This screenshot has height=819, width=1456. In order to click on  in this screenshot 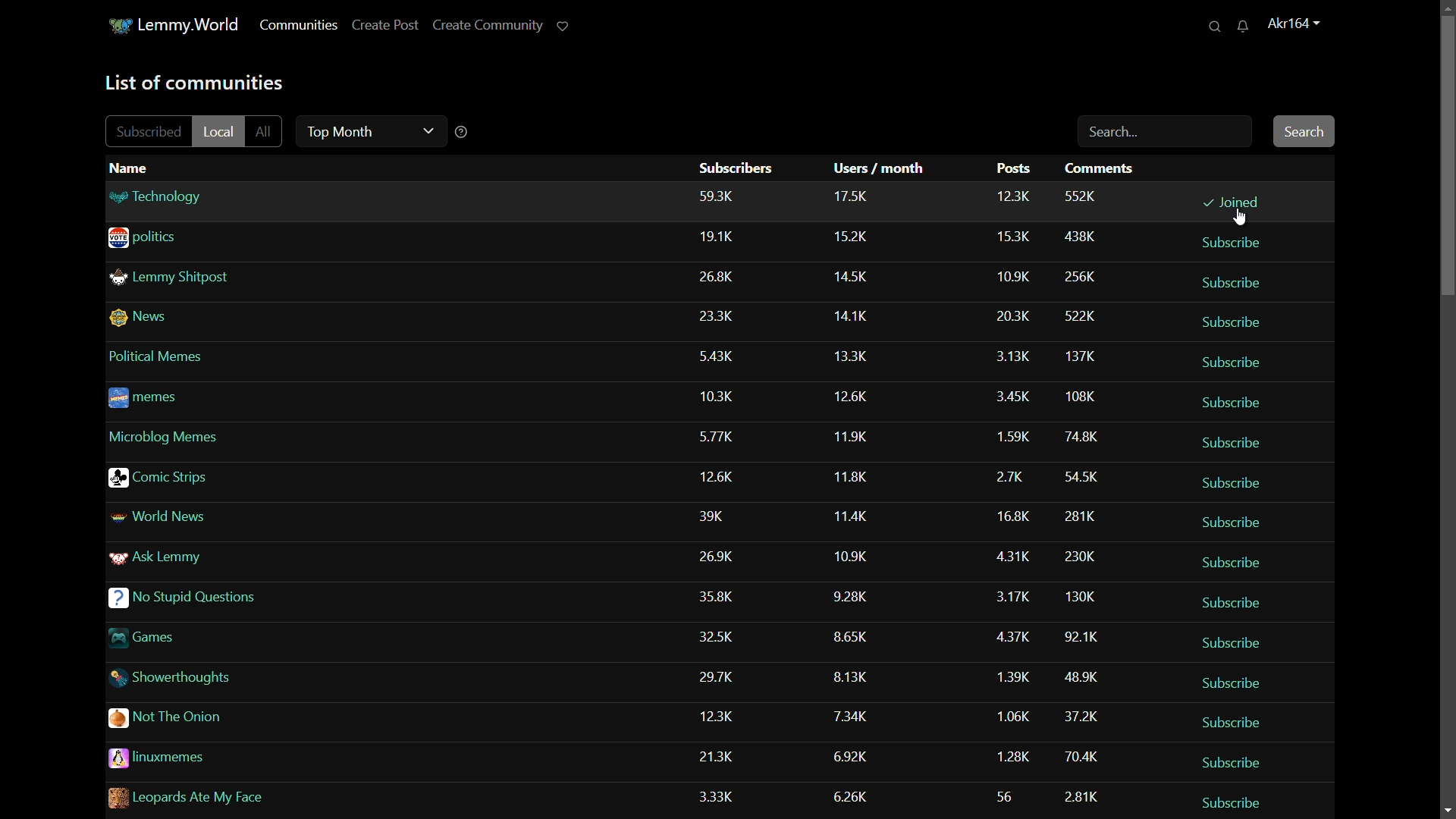, I will do `click(723, 595)`.